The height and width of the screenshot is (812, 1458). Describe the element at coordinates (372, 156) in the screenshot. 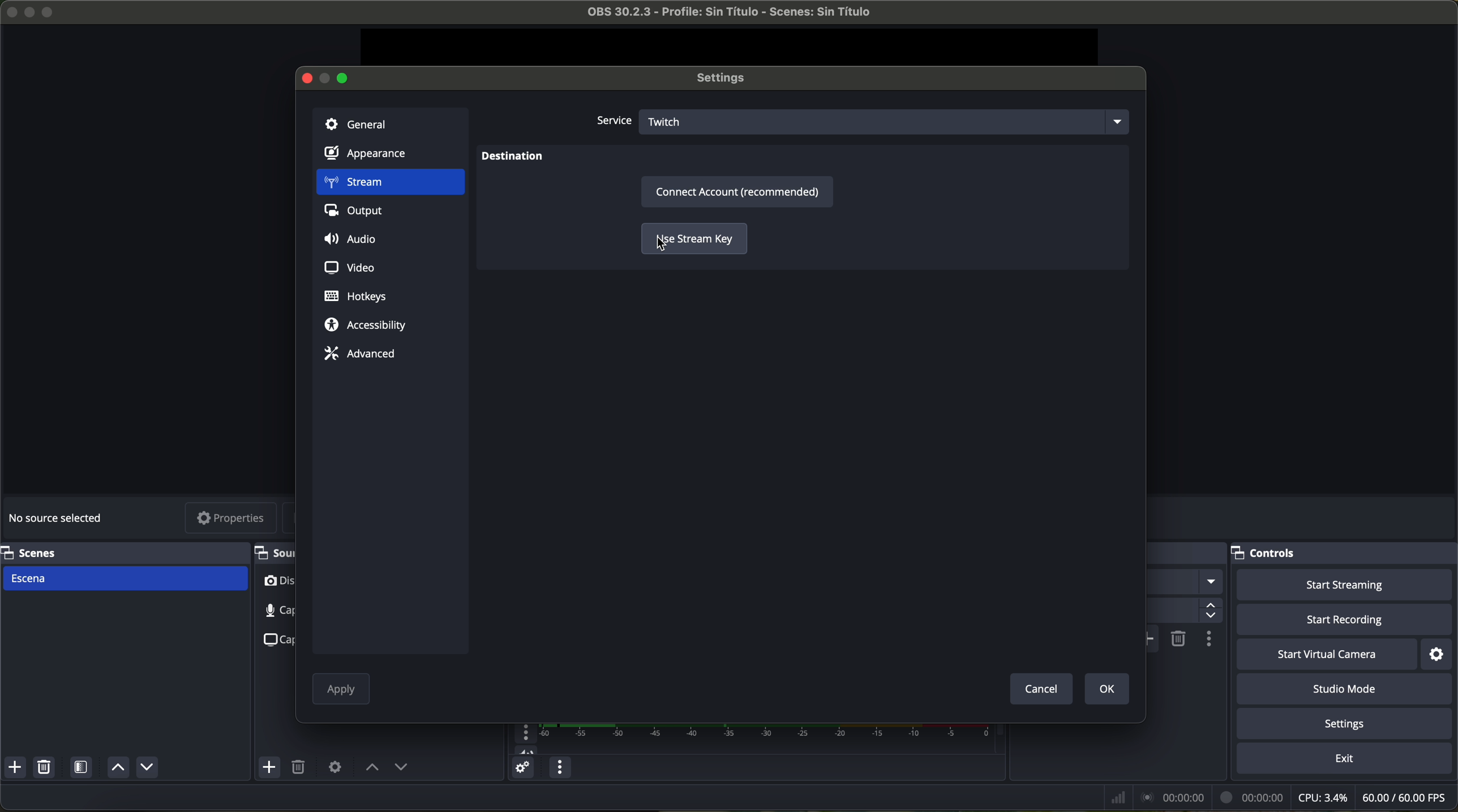

I see `appearance` at that location.